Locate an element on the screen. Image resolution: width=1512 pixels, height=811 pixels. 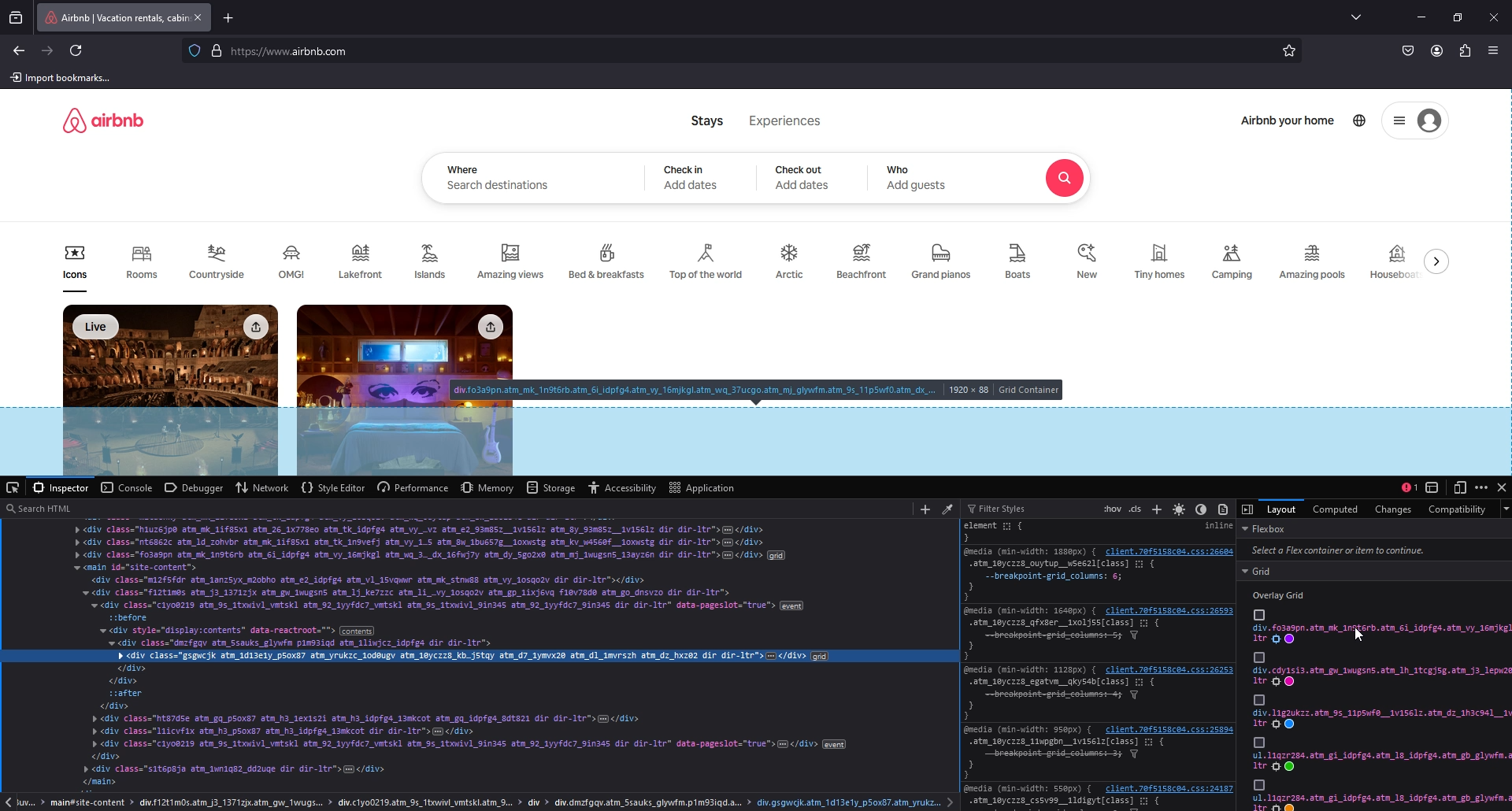
changes is located at coordinates (1391, 509).